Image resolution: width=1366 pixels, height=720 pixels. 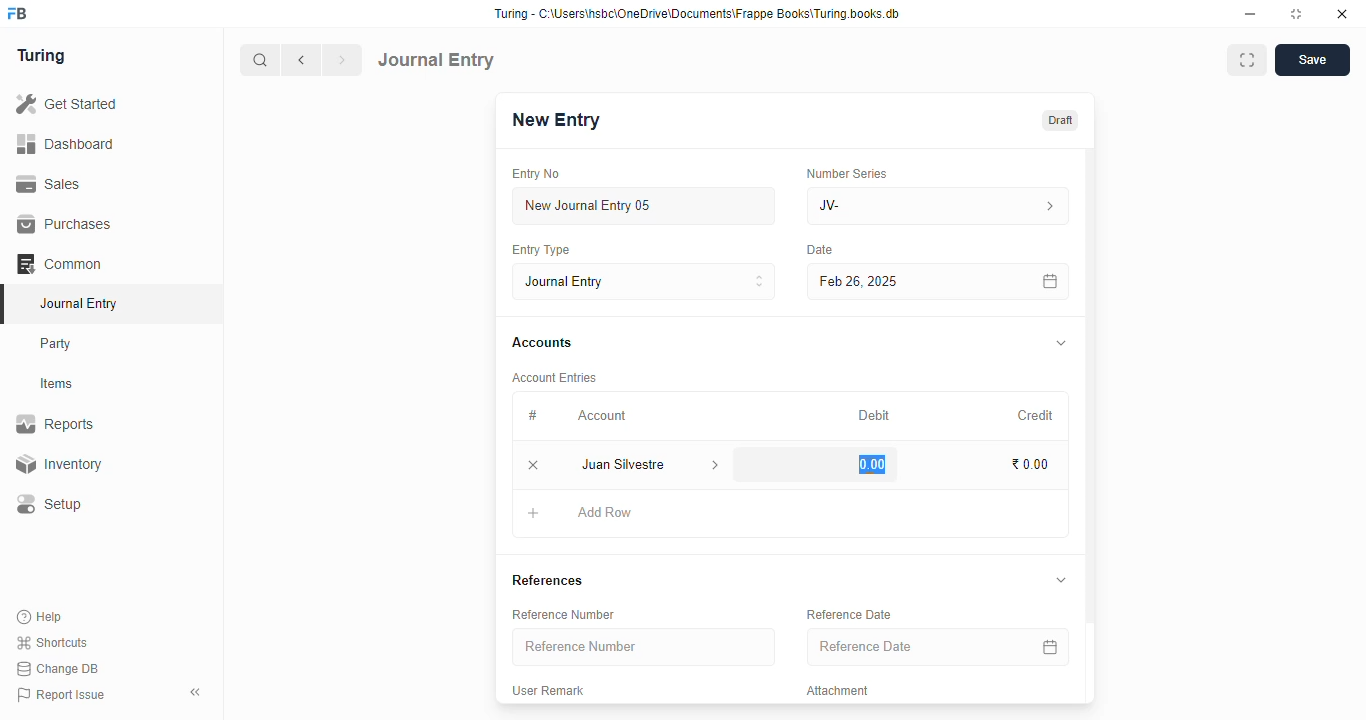 What do you see at coordinates (49, 183) in the screenshot?
I see `sales` at bounding box center [49, 183].